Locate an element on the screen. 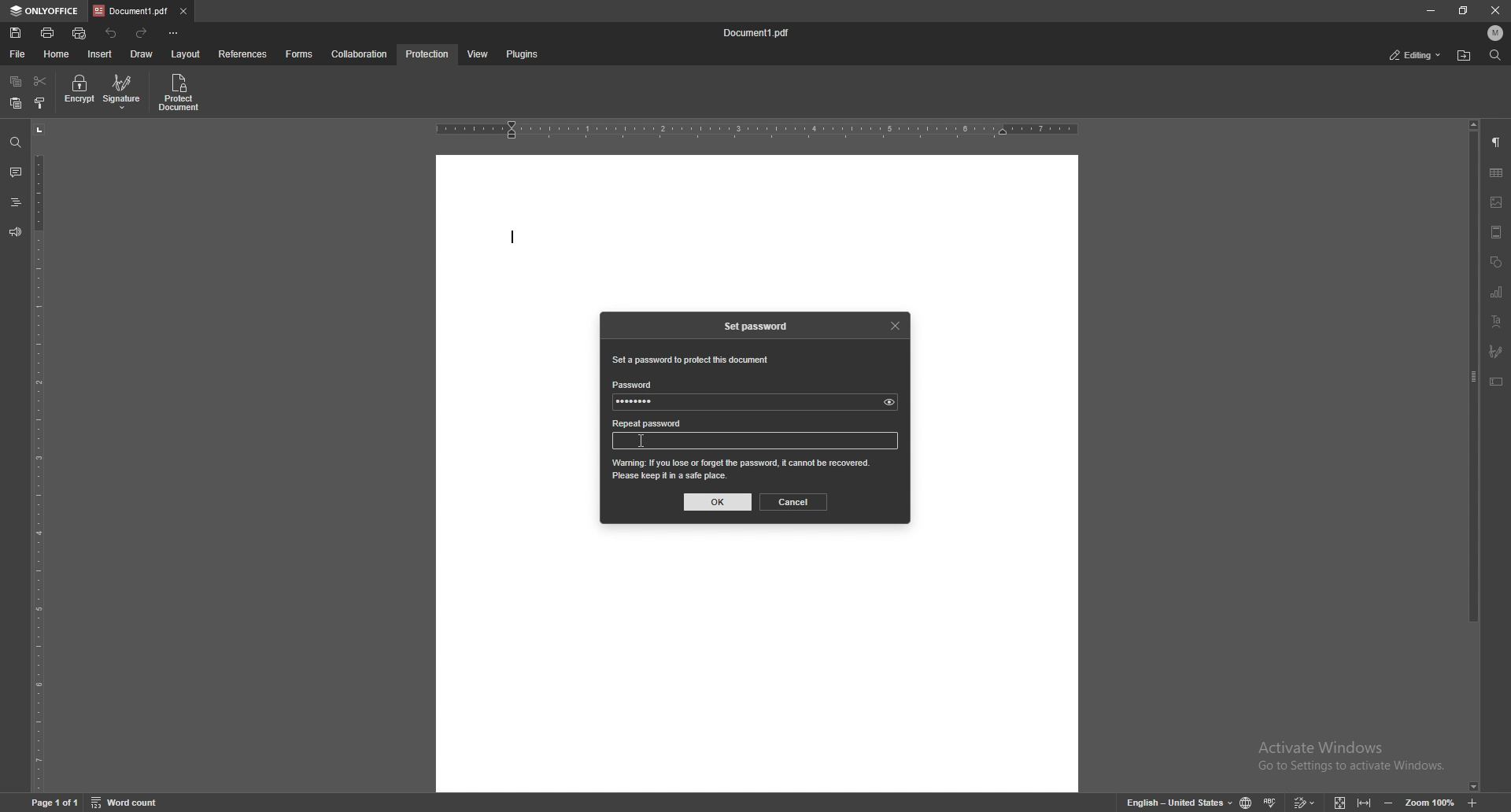 Image resolution: width=1511 pixels, height=812 pixels. minimize is located at coordinates (1430, 10).